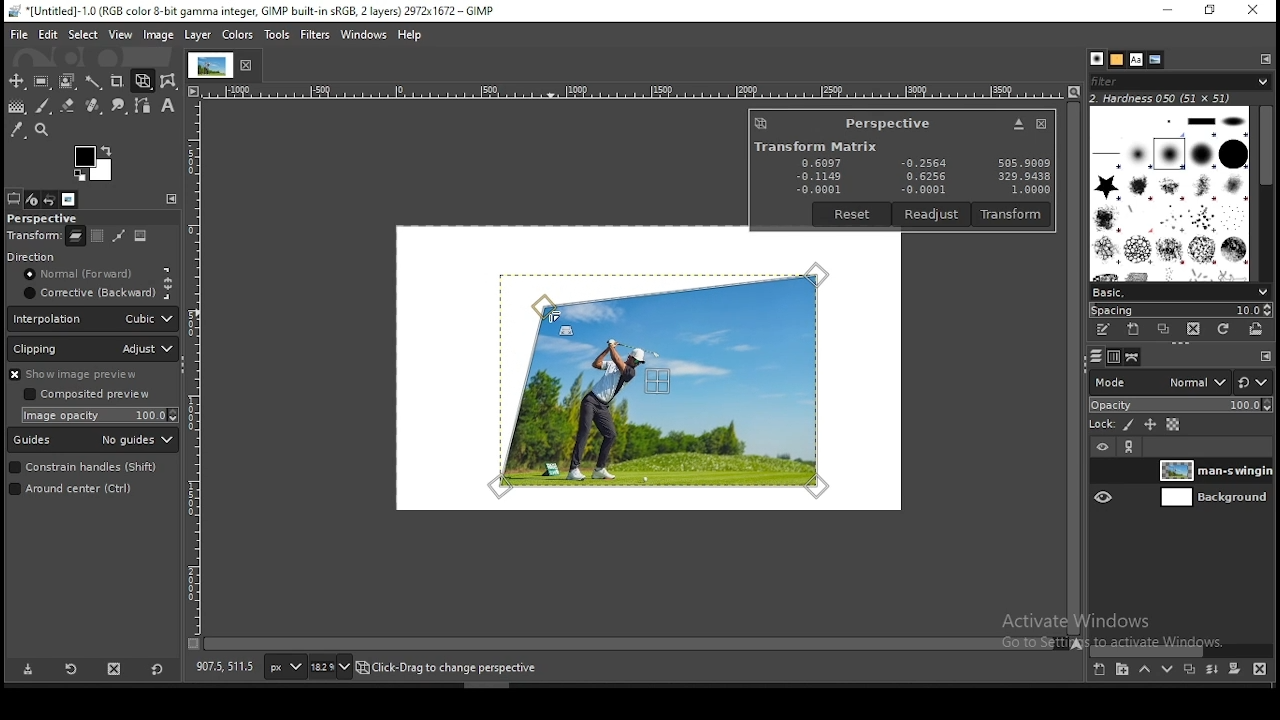  I want to click on document history, so click(1155, 60).